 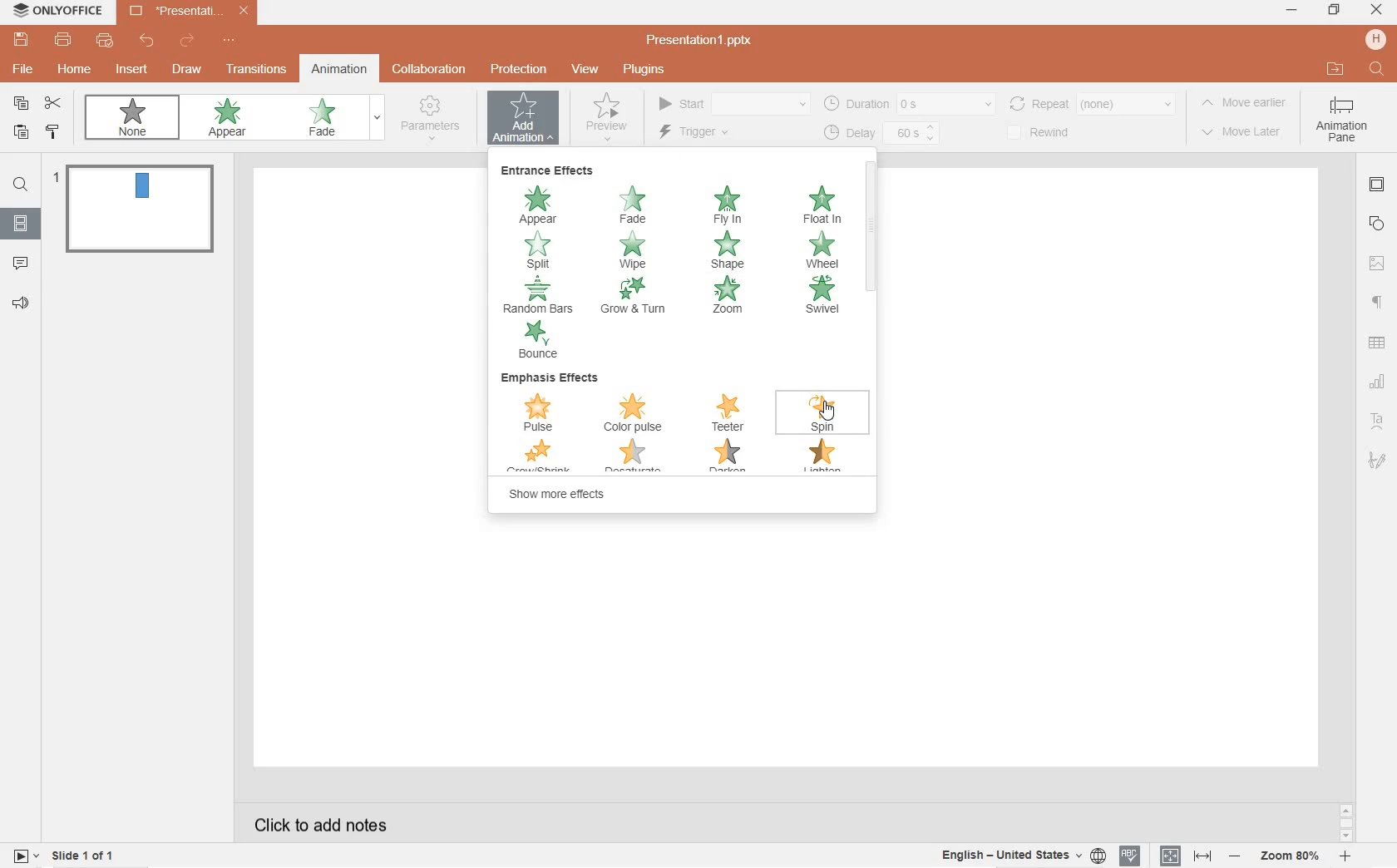 I want to click on bounce, so click(x=539, y=342).